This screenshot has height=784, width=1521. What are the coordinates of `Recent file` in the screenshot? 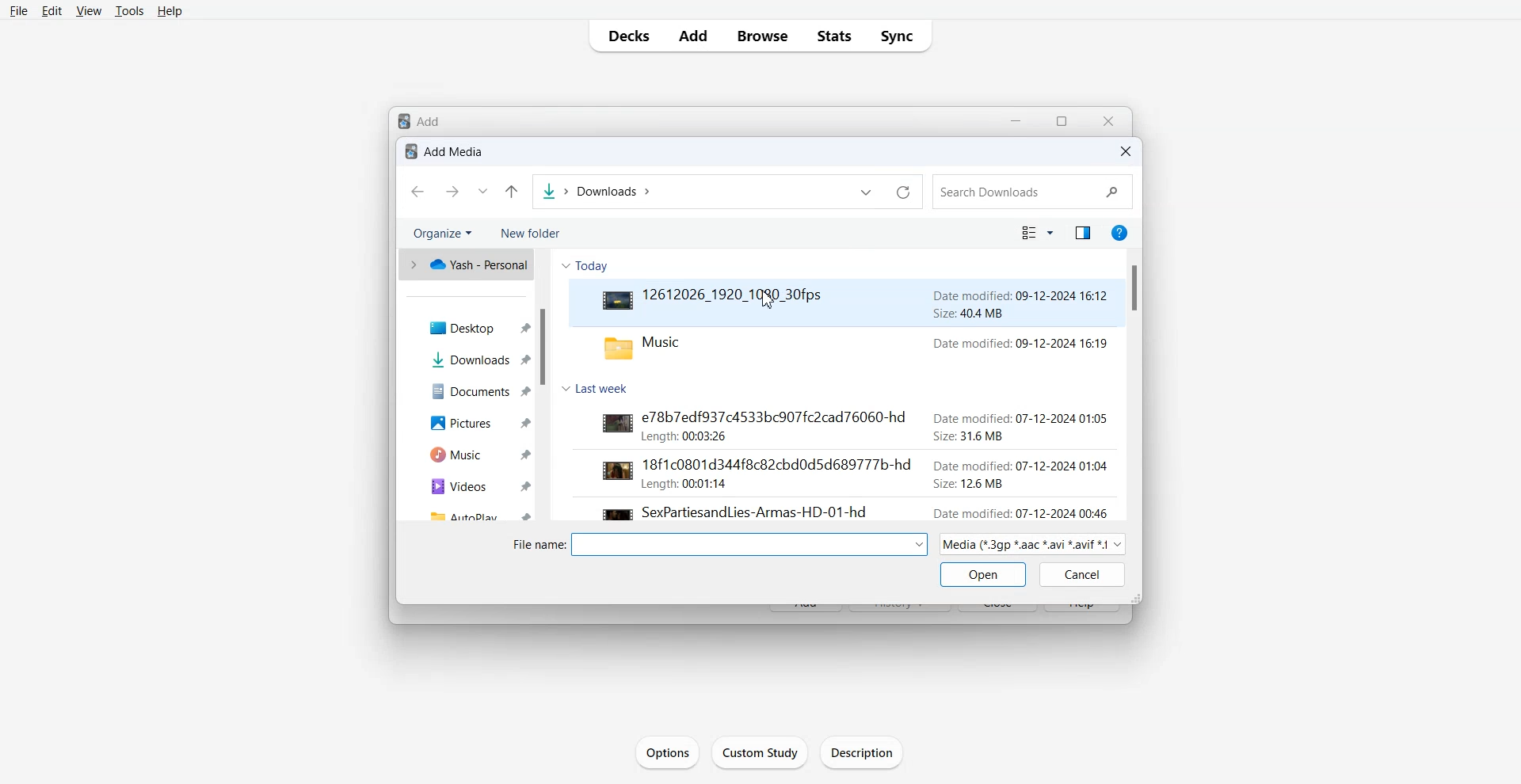 It's located at (482, 192).